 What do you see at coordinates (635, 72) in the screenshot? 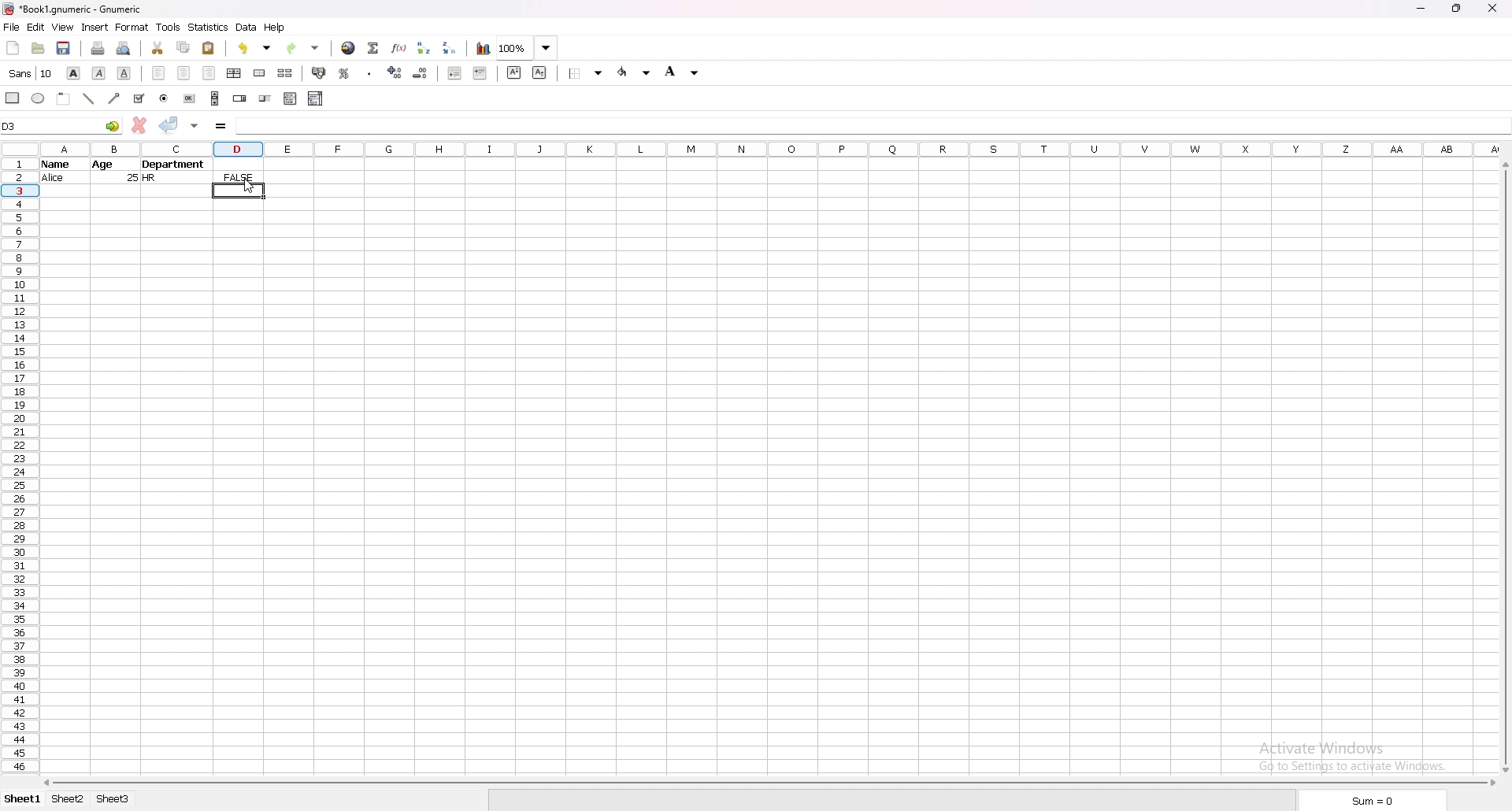
I see `foreground` at bounding box center [635, 72].